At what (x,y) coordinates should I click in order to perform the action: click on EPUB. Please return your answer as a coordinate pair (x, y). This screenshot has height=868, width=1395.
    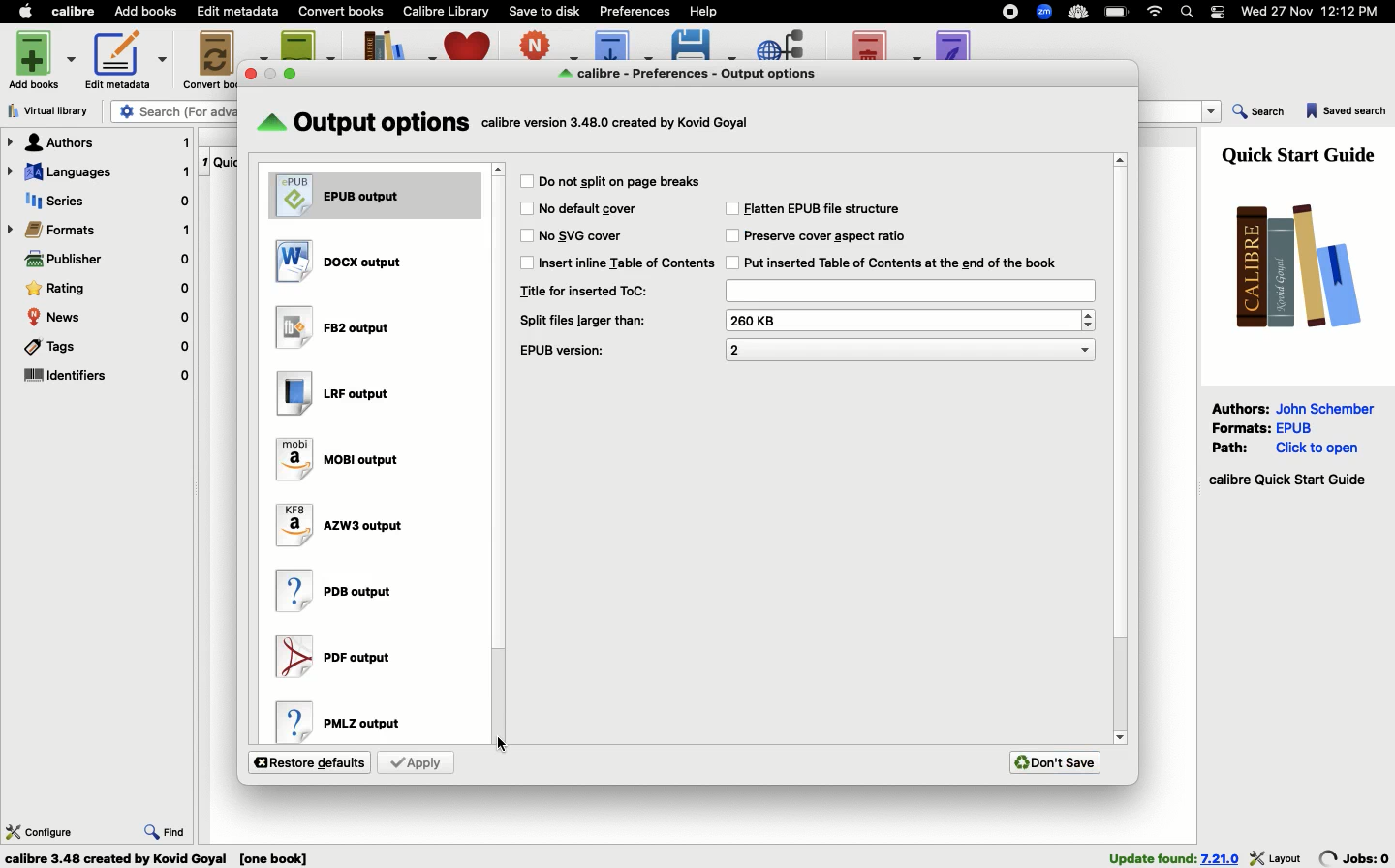
    Looking at the image, I should click on (363, 193).